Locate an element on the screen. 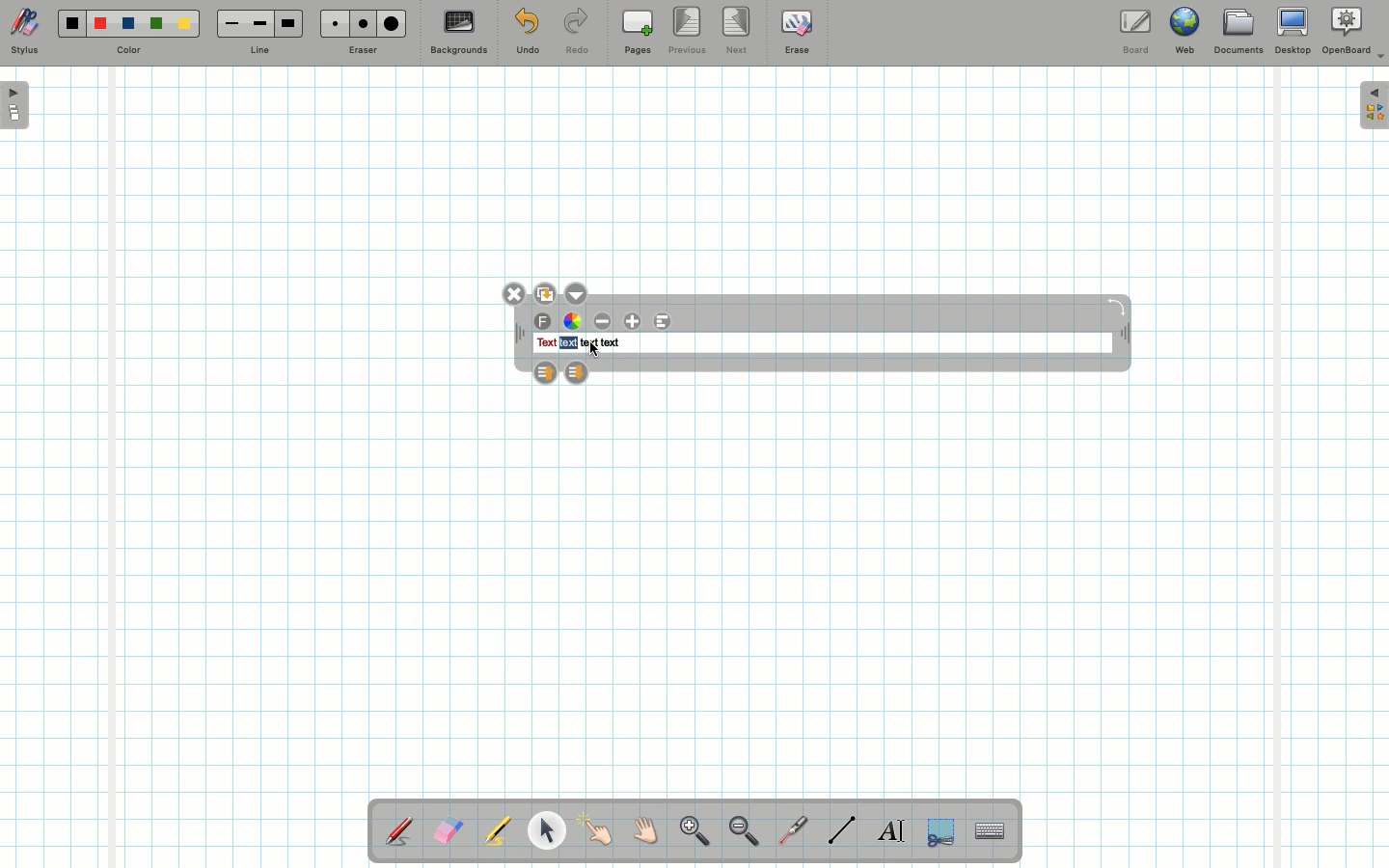  Write text is located at coordinates (893, 827).